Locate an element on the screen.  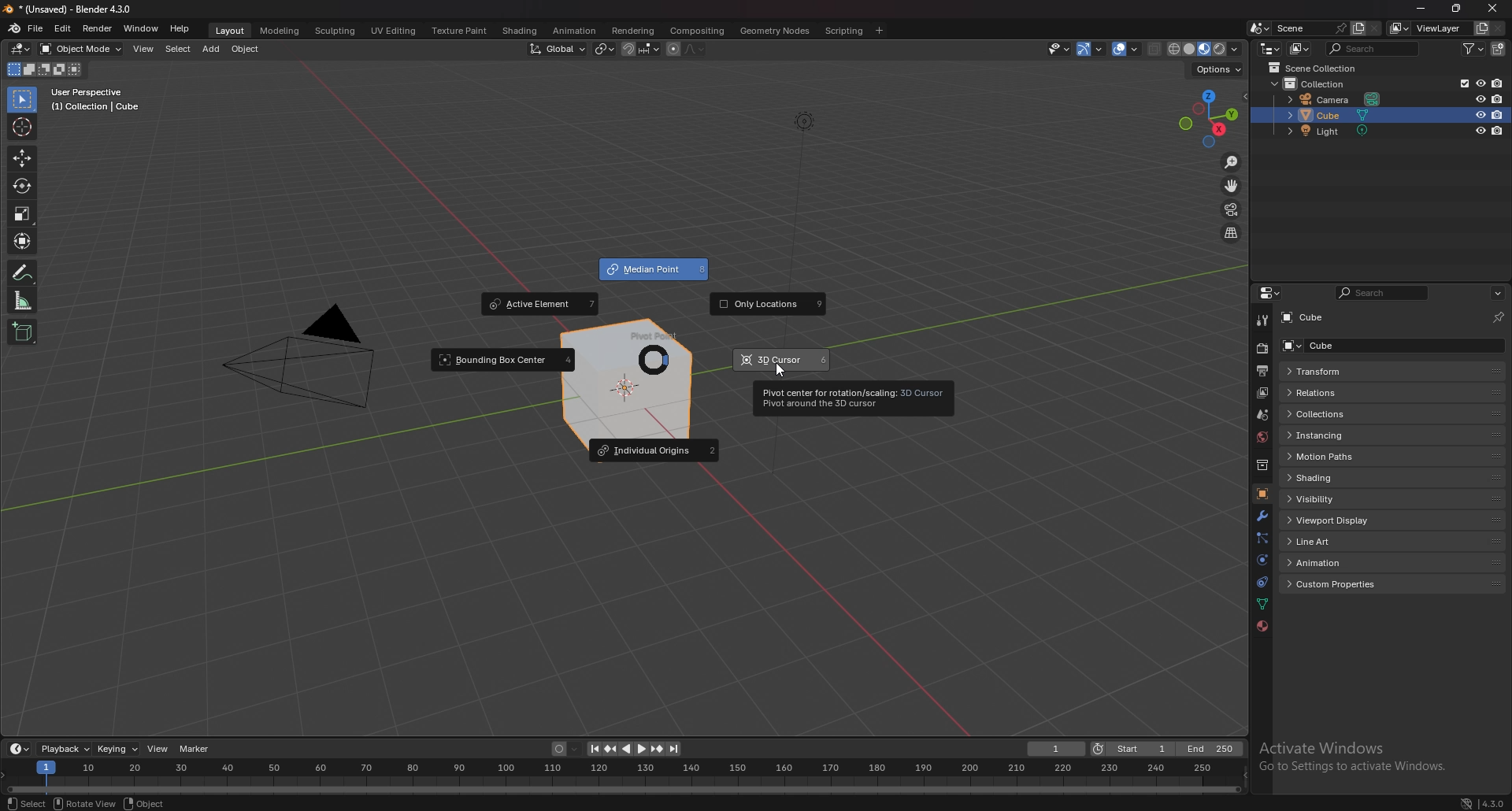
only locations is located at coordinates (769, 305).